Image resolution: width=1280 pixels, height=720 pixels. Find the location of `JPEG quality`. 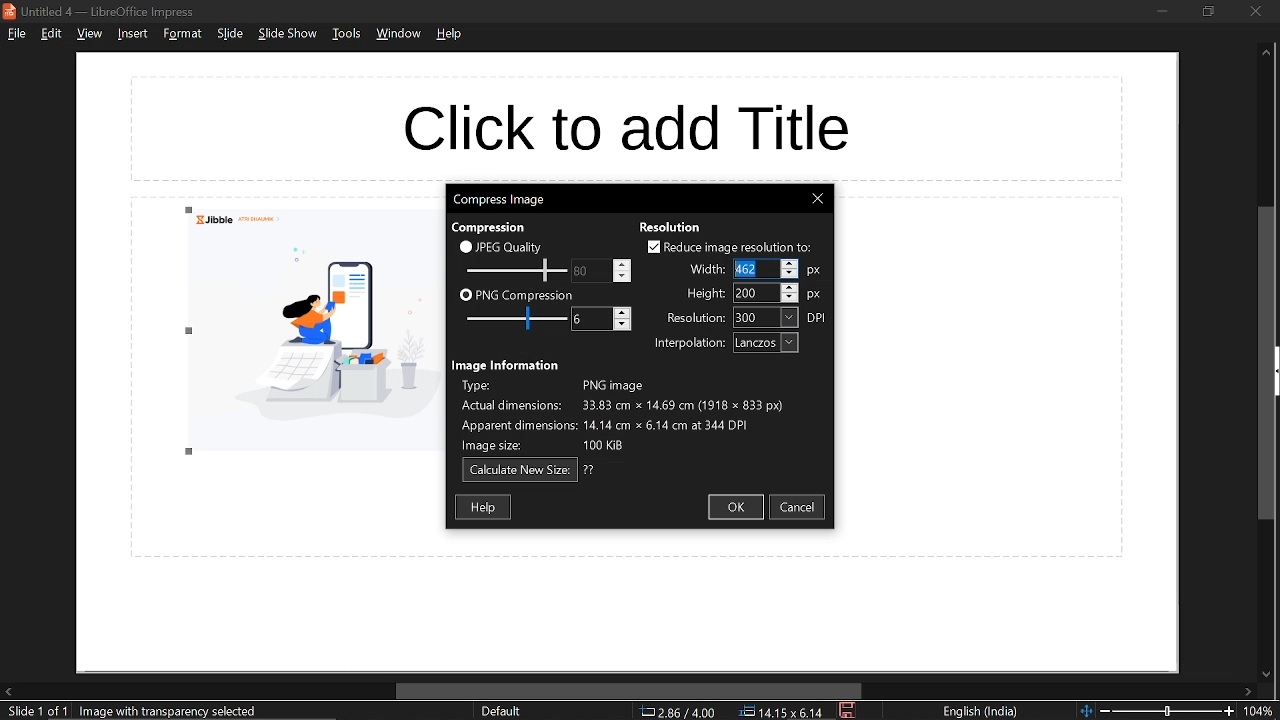

JPEG quality is located at coordinates (506, 246).